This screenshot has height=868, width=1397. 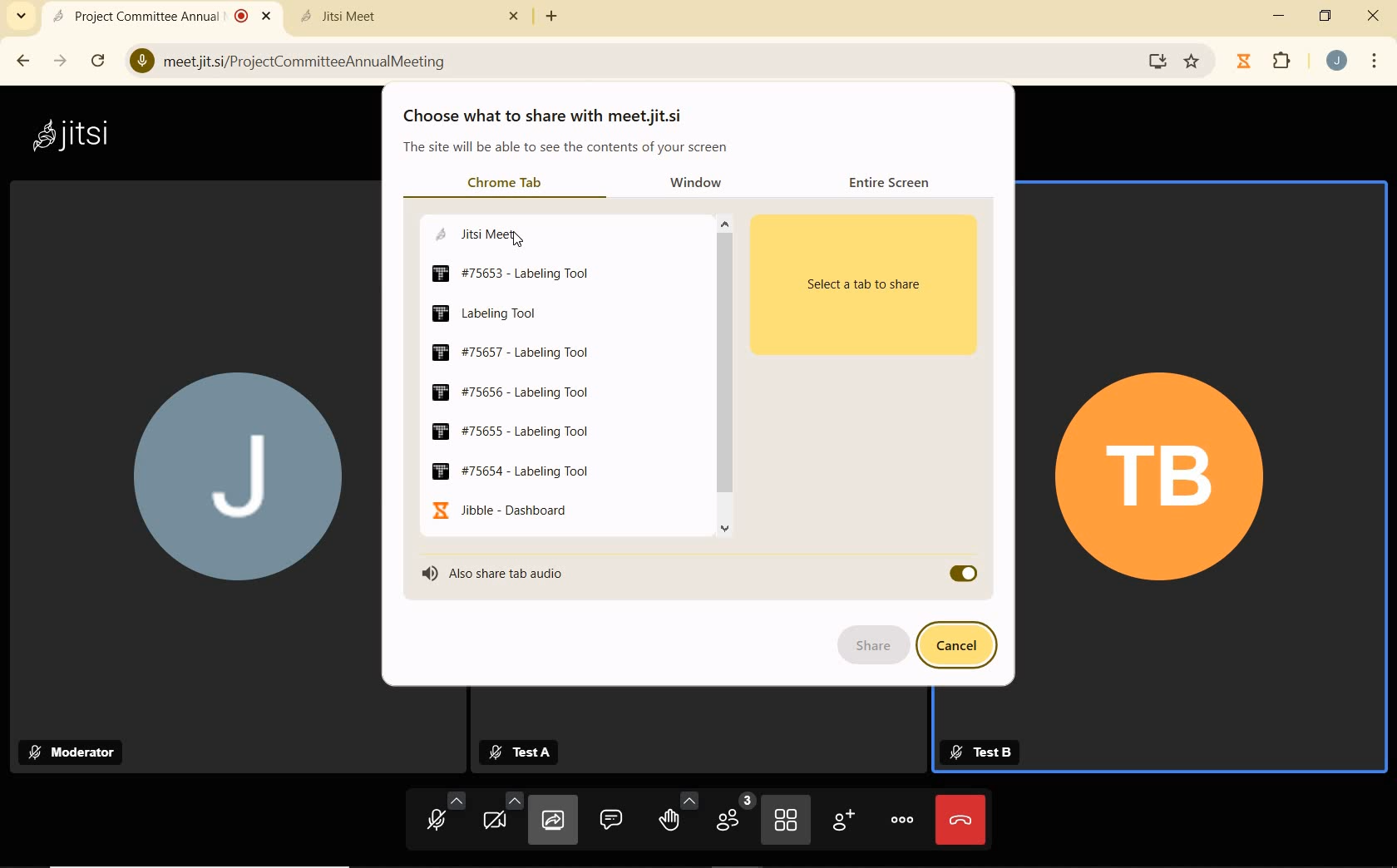 I want to click on Collapse, so click(x=21, y=17).